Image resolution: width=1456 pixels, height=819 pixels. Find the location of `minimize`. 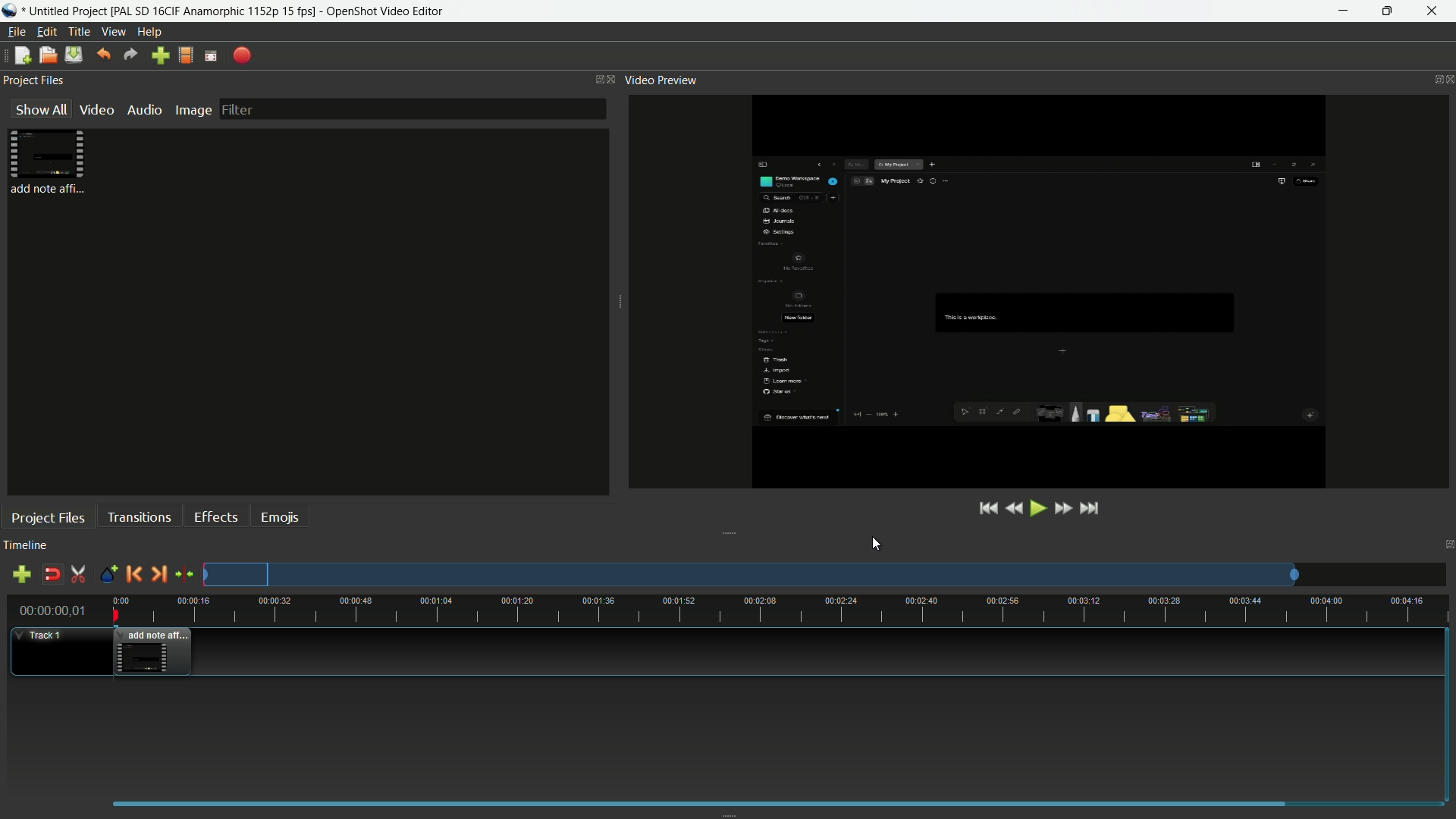

minimize is located at coordinates (1341, 11).